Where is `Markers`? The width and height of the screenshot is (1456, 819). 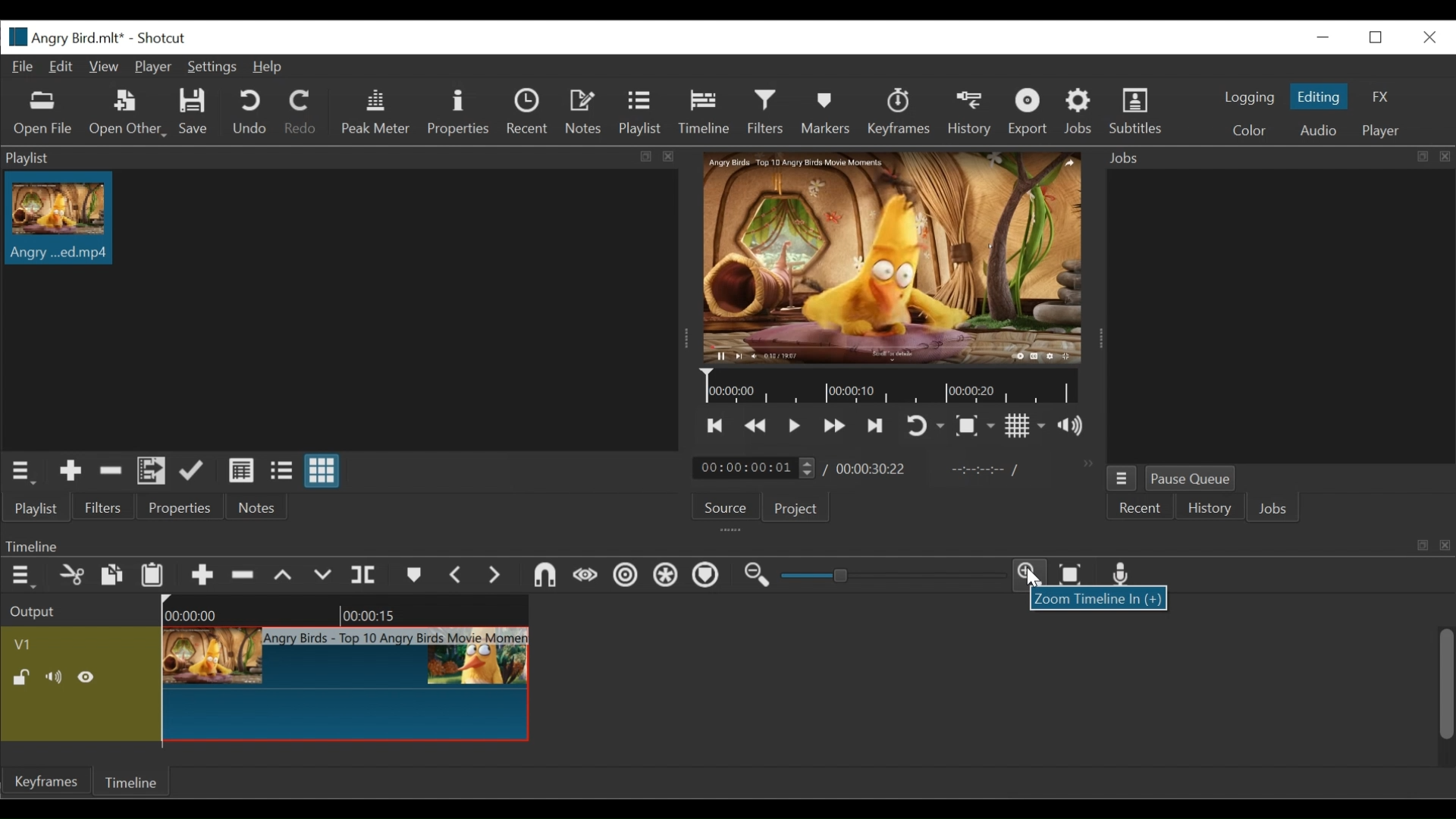 Markers is located at coordinates (707, 575).